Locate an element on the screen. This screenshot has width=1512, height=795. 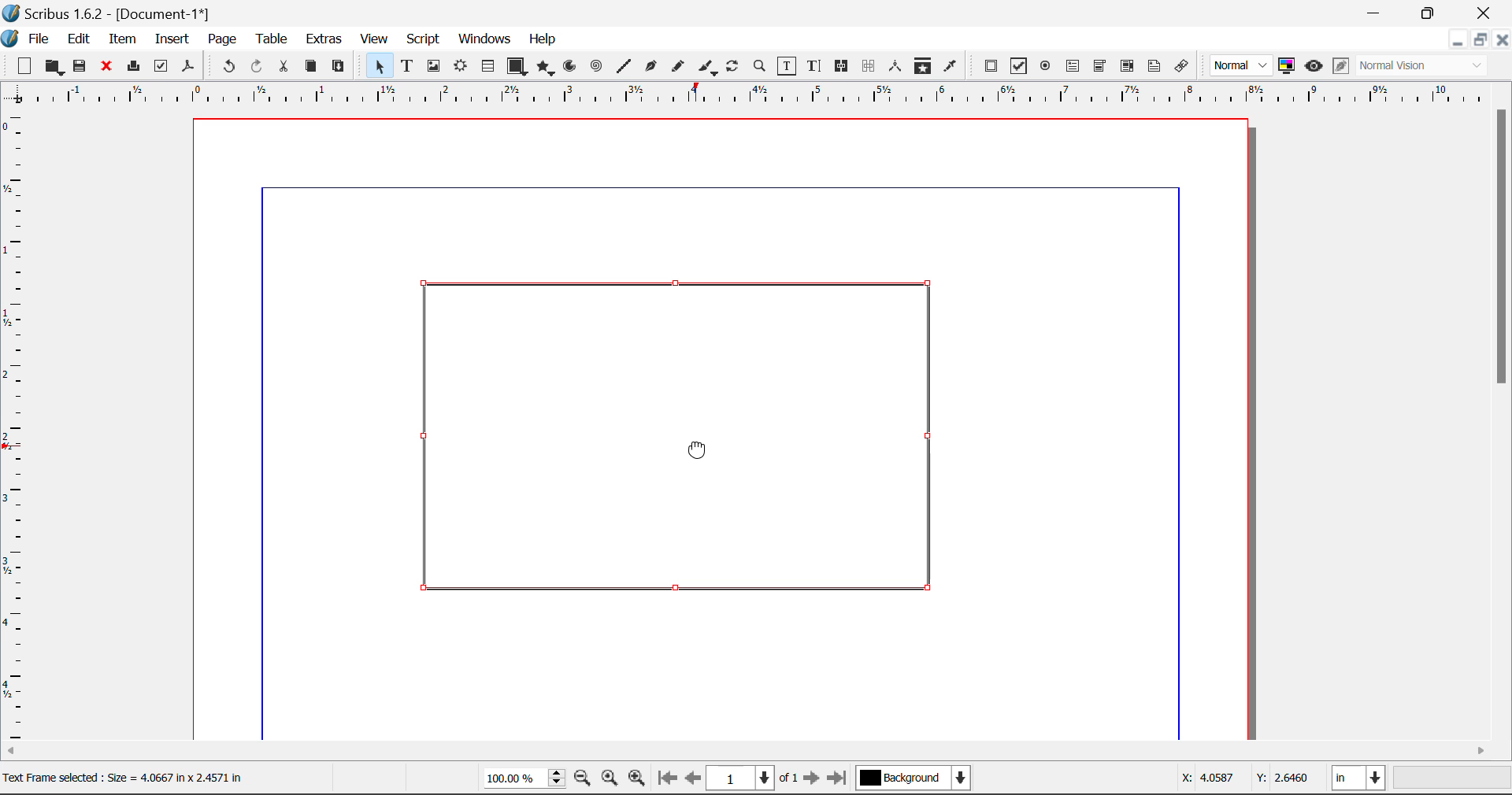
Pdf Listbox is located at coordinates (1125, 66).